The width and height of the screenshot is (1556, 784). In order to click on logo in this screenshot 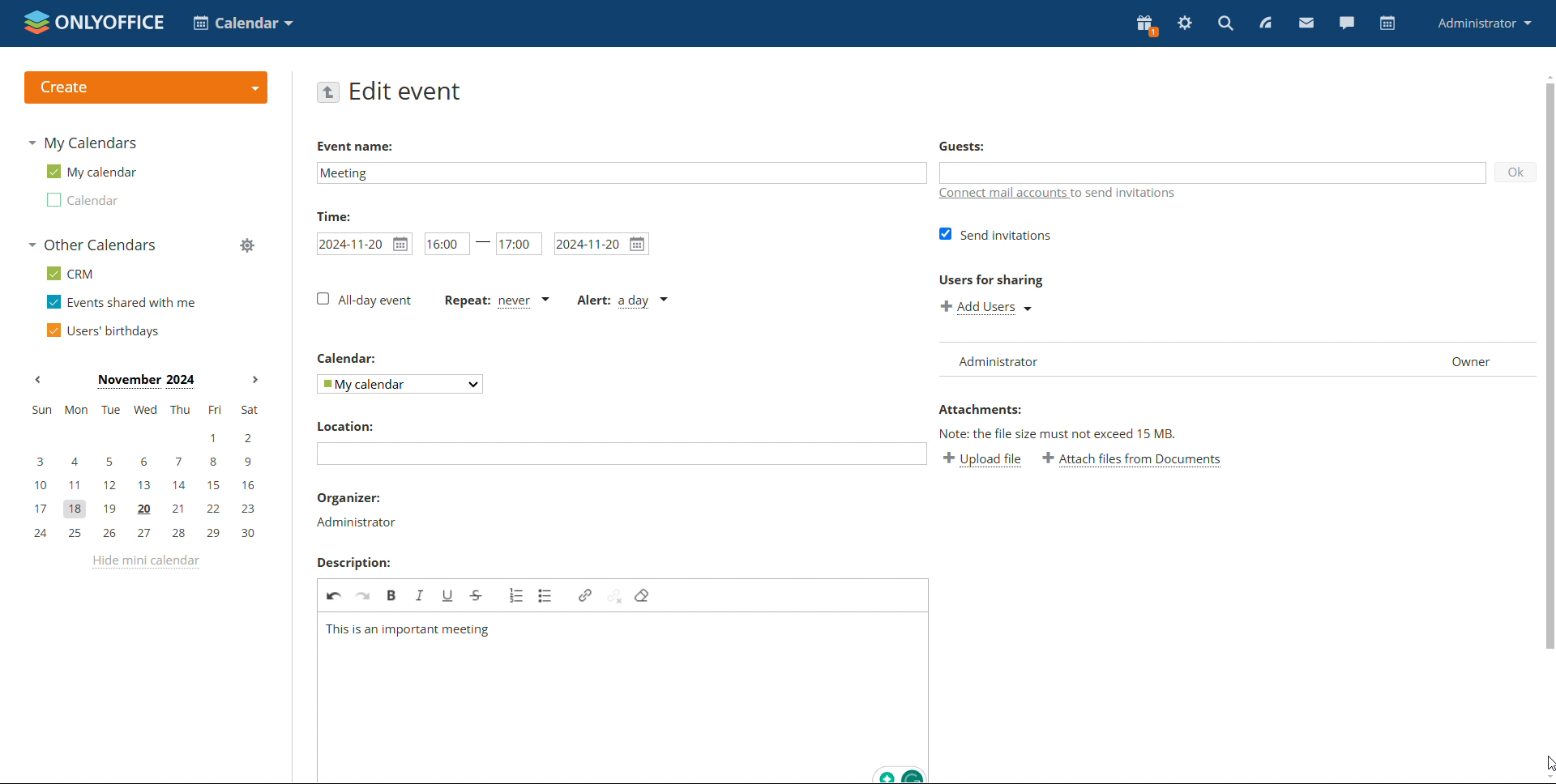, I will do `click(95, 23)`.